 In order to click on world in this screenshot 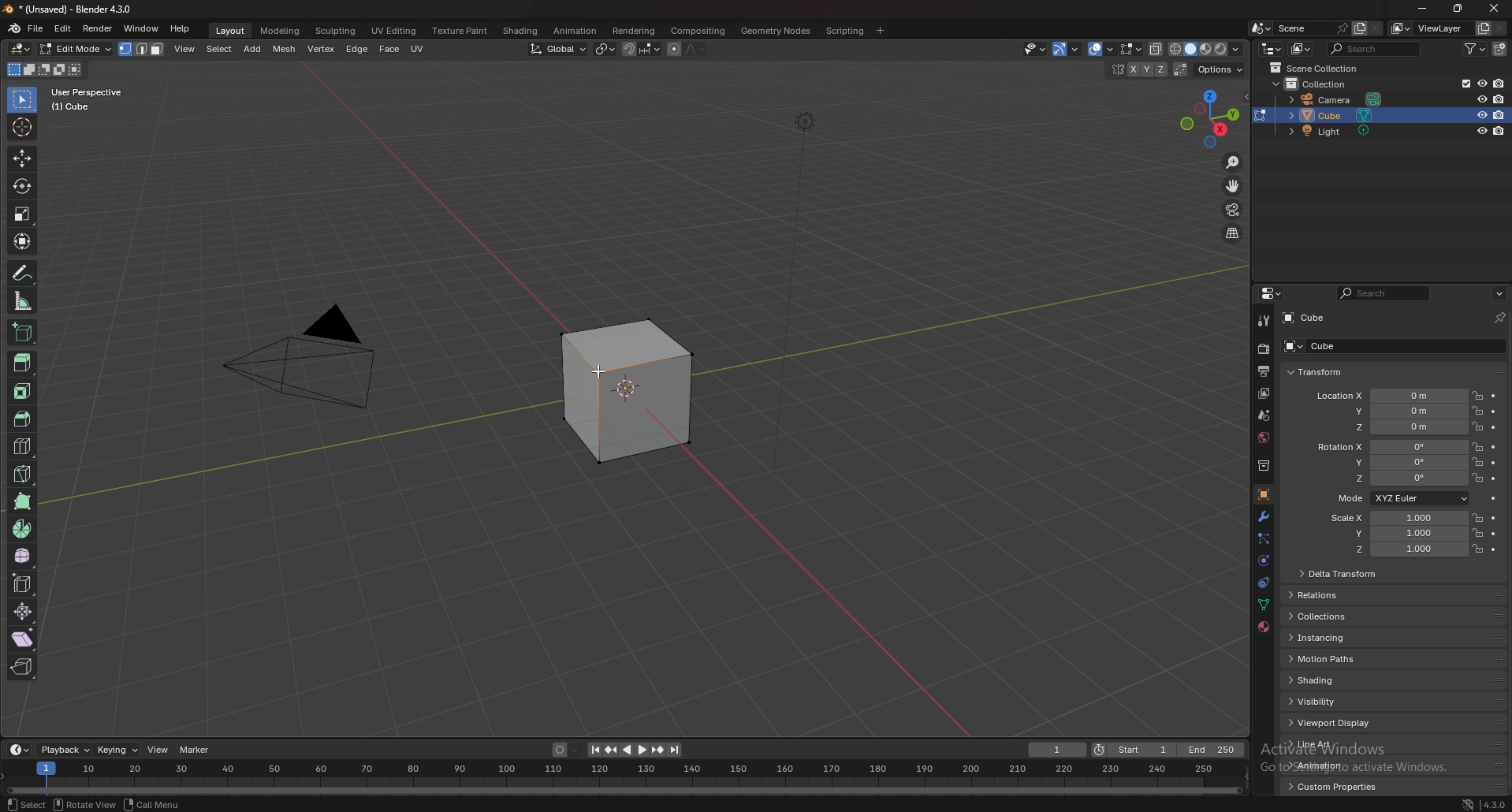, I will do `click(1264, 438)`.